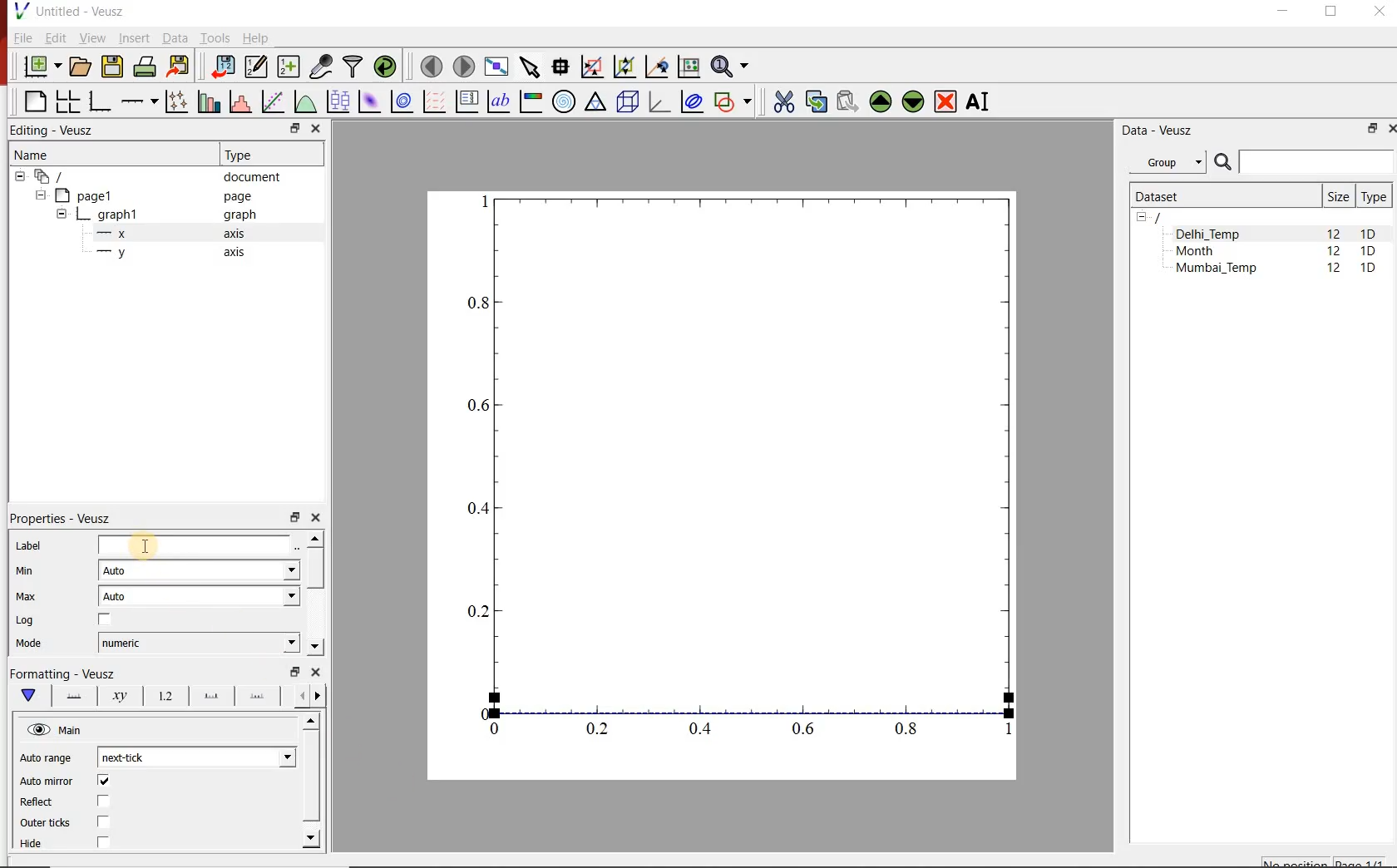 The image size is (1397, 868). Describe the element at coordinates (158, 215) in the screenshot. I see `graph1` at that location.